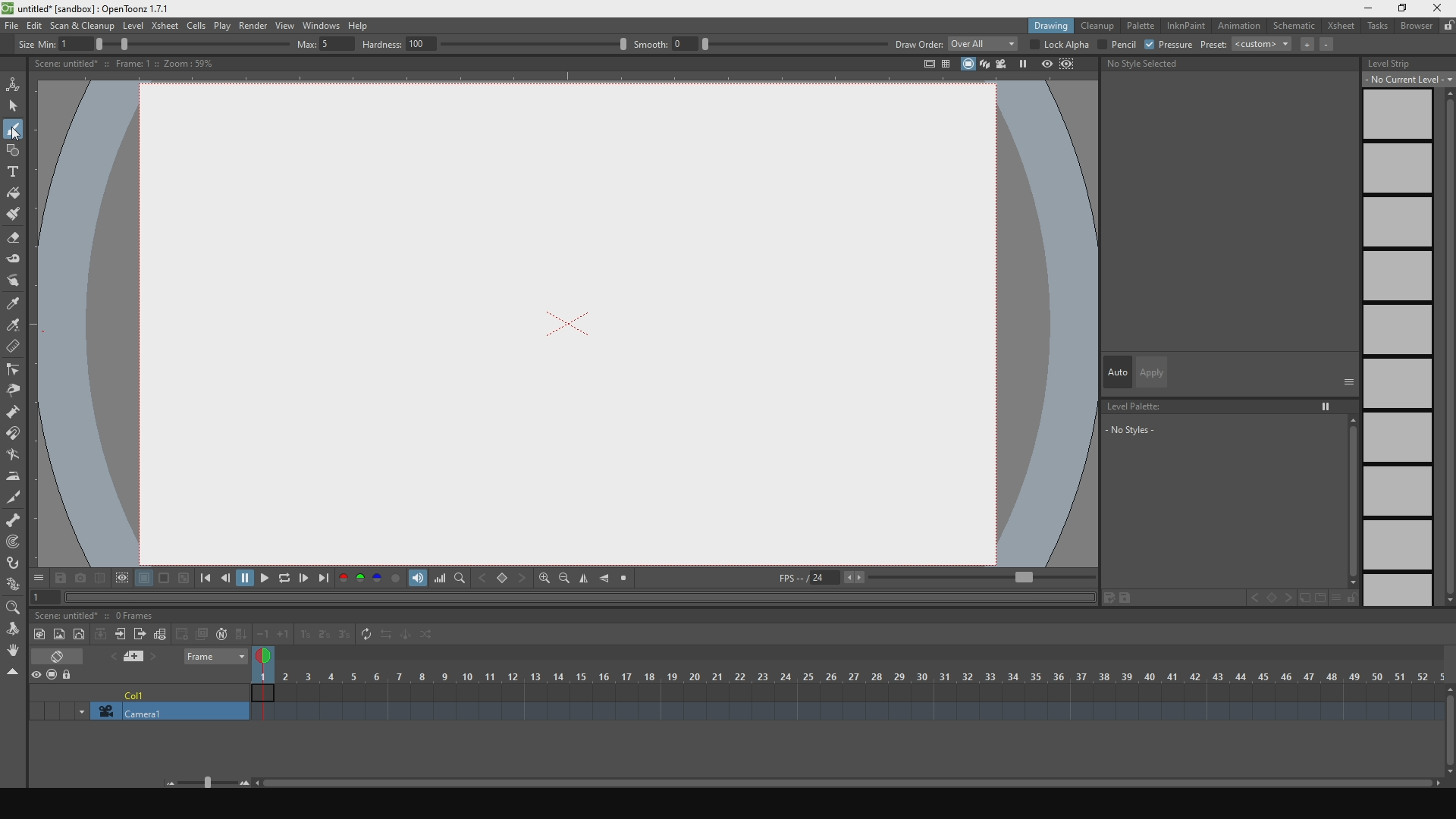 This screenshot has height=819, width=1456. Describe the element at coordinates (15, 262) in the screenshot. I see `tape` at that location.